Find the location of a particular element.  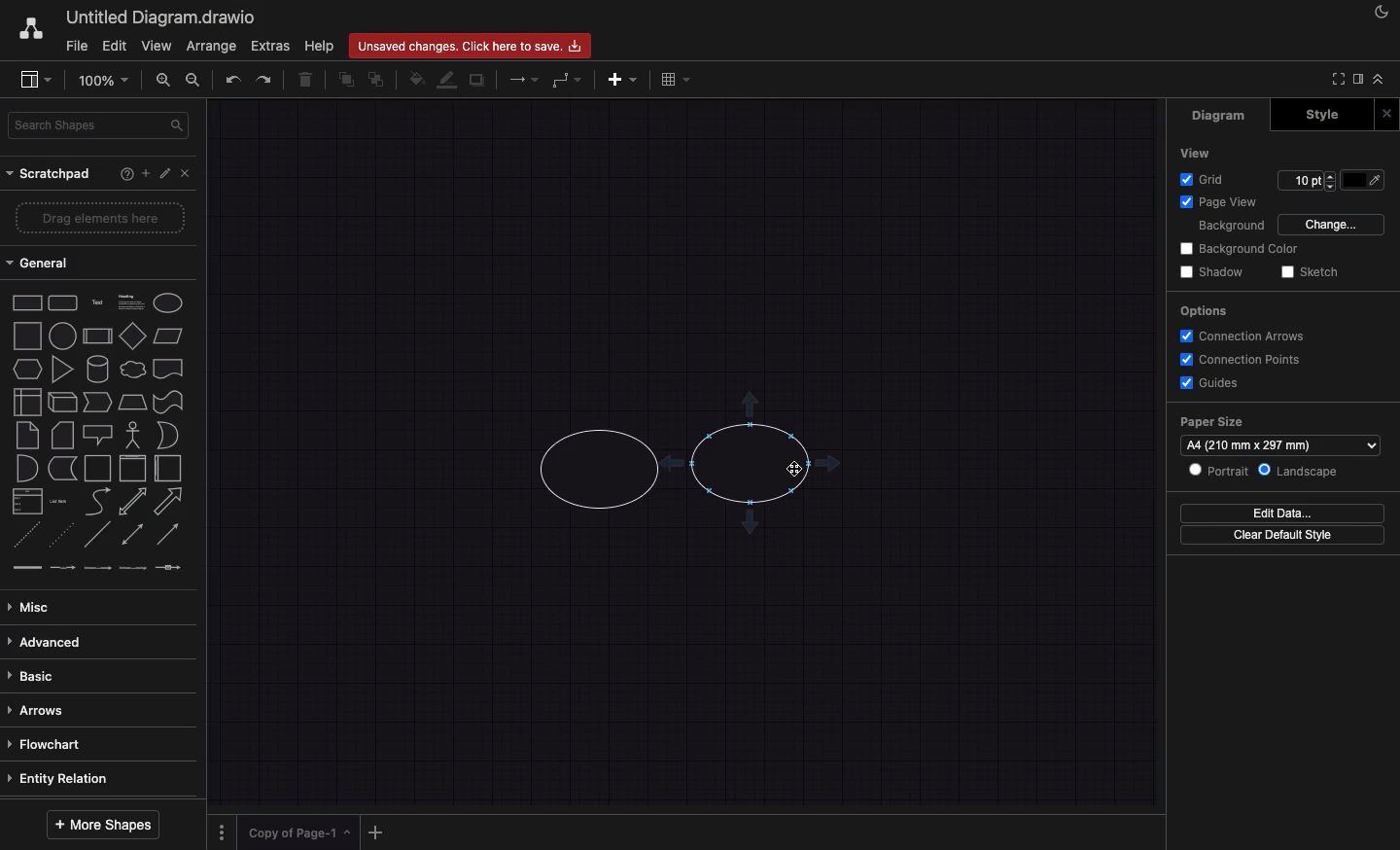

shadow is located at coordinates (478, 79).